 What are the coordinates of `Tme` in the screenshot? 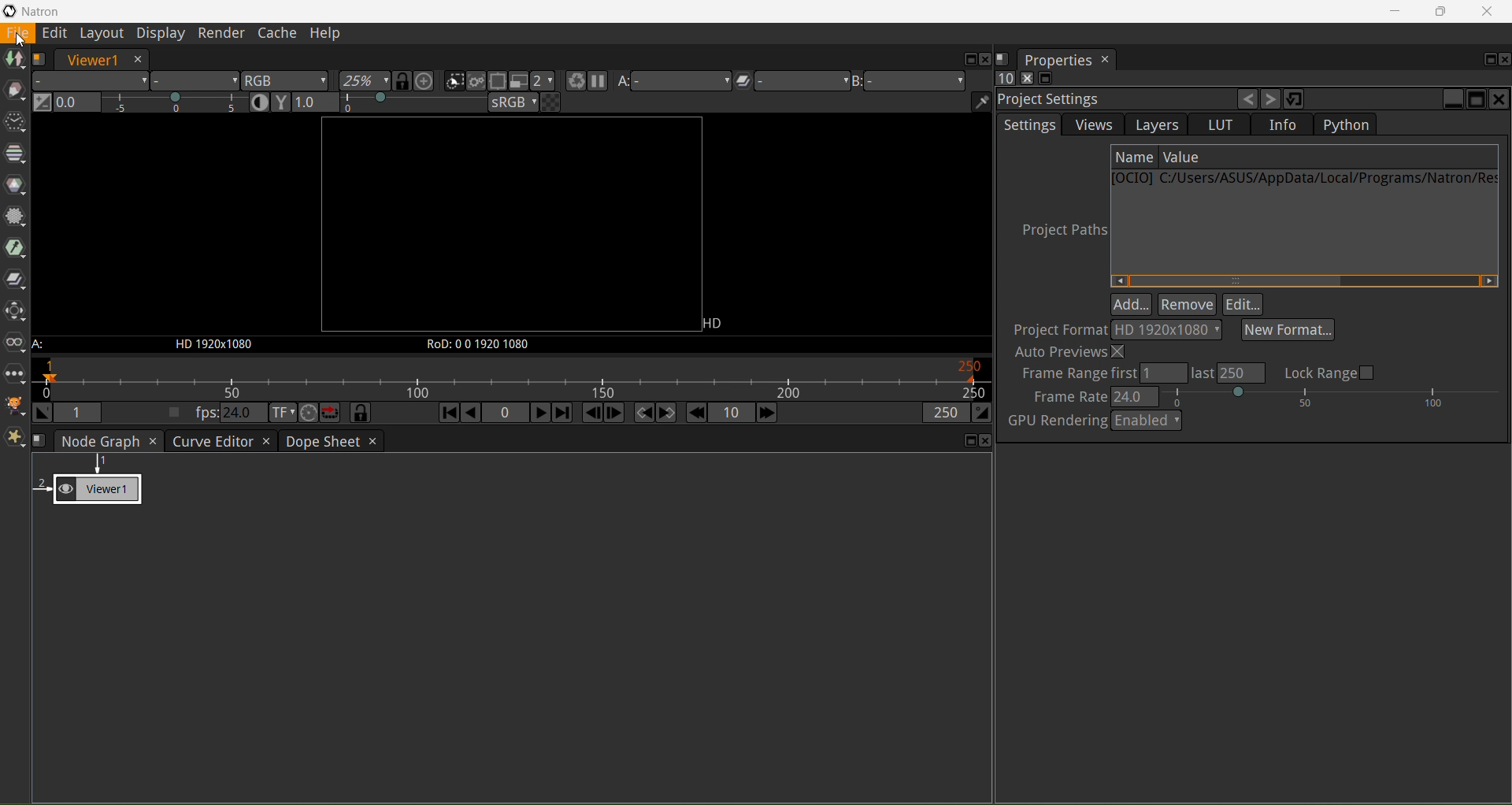 It's located at (15, 122).